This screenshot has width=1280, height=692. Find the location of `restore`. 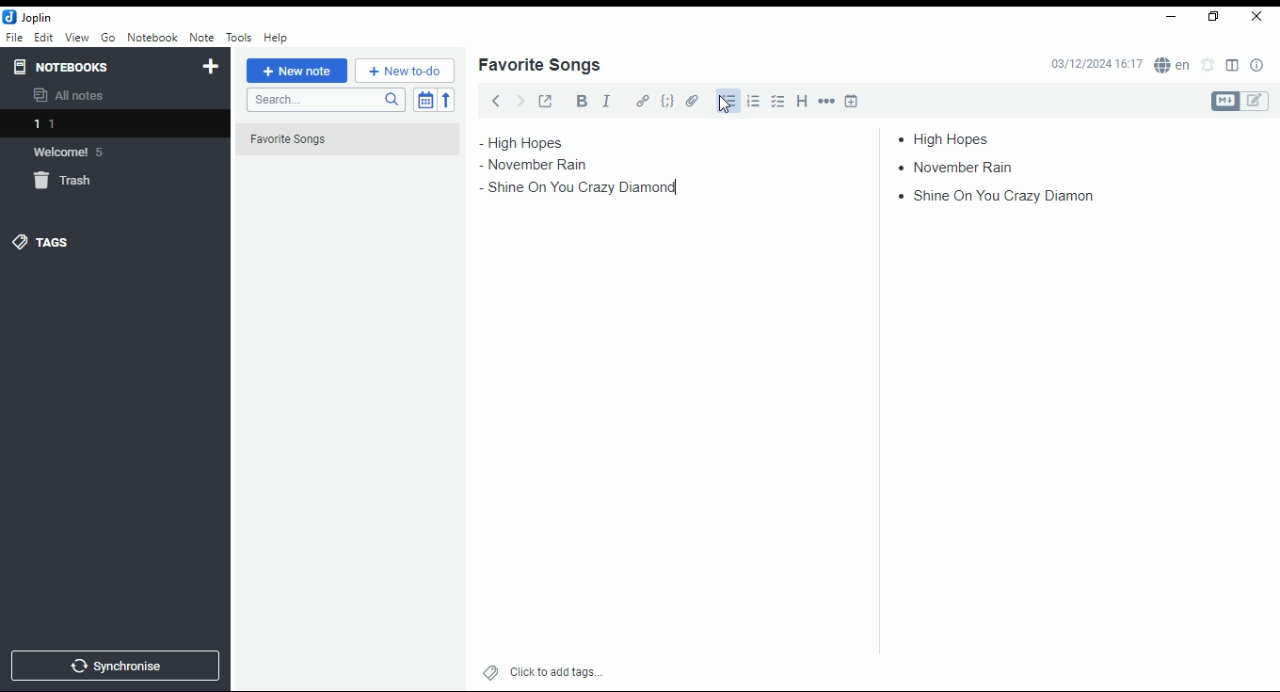

restore is located at coordinates (1216, 17).